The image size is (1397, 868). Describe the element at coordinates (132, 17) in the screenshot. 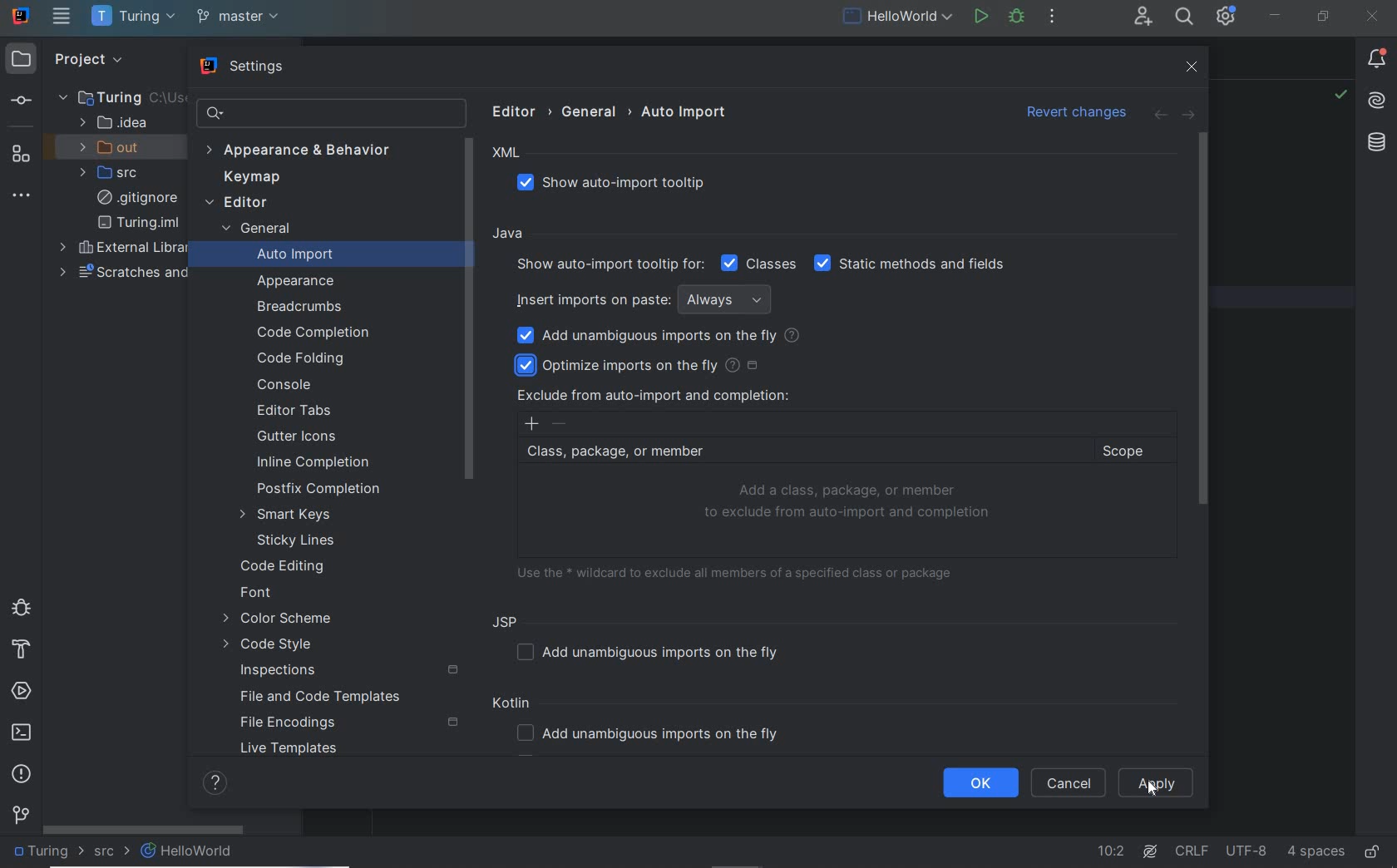

I see `Turing(project name)` at that location.